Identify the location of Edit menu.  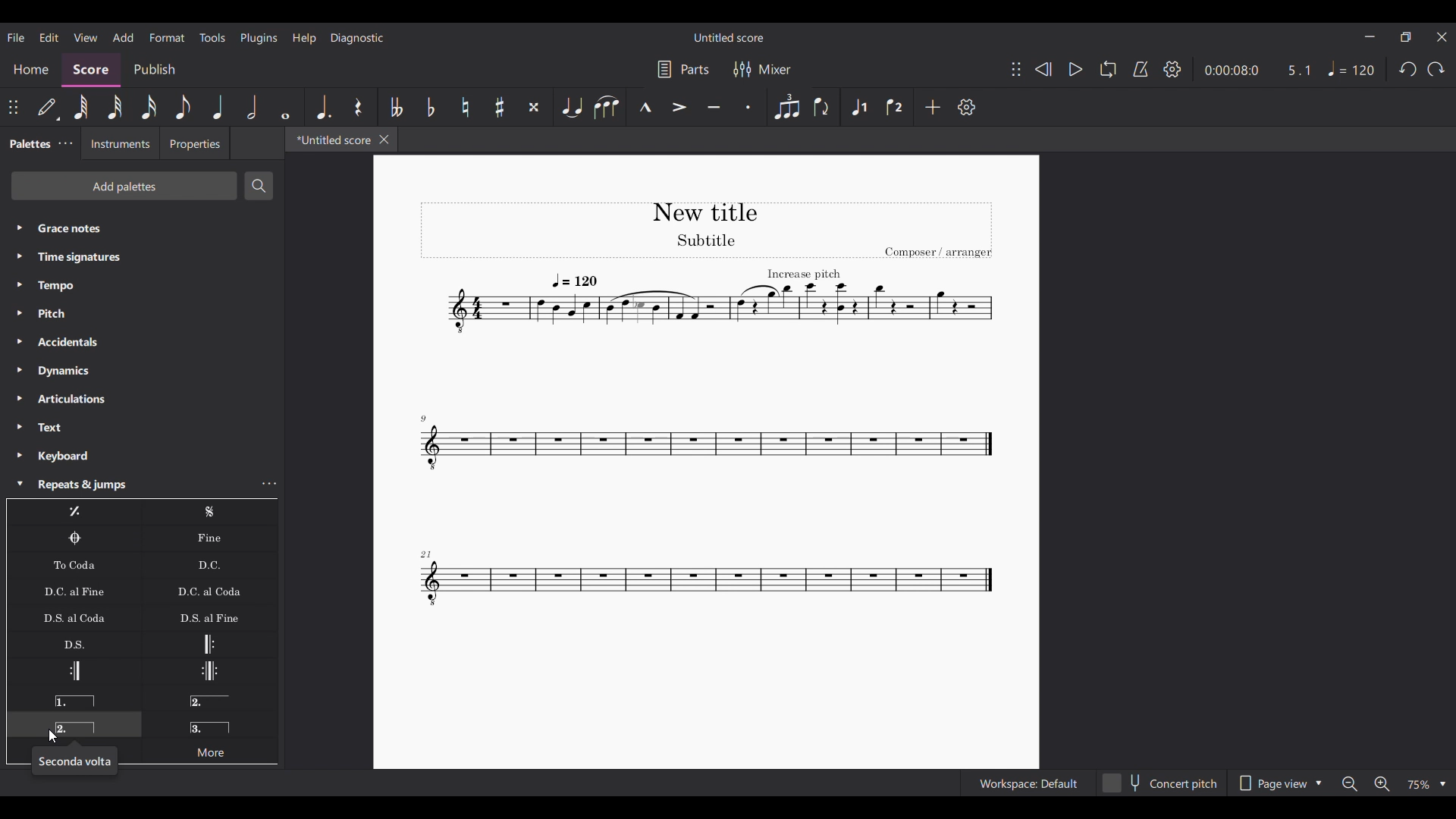
(49, 38).